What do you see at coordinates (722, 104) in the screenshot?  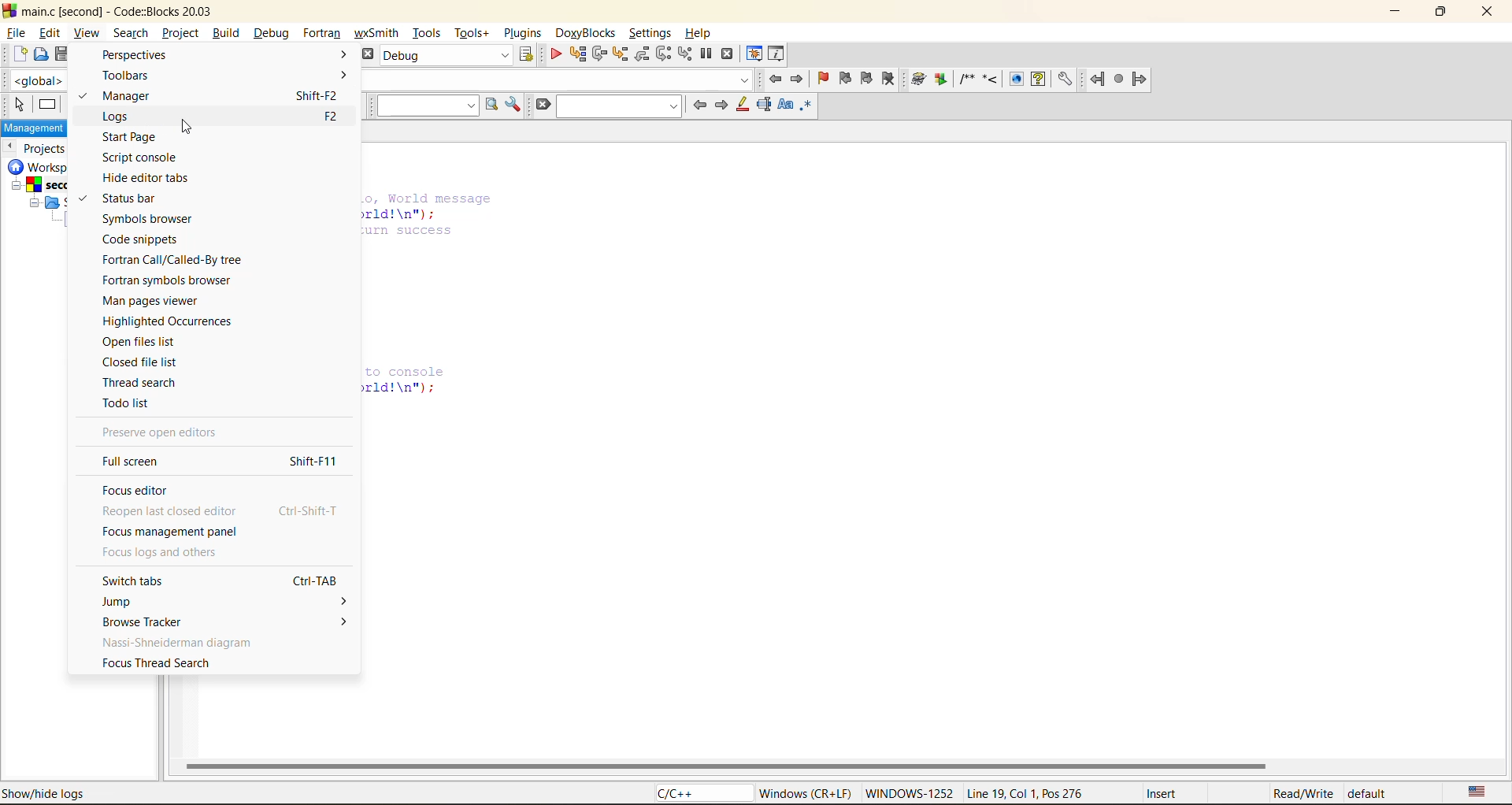 I see `next` at bounding box center [722, 104].